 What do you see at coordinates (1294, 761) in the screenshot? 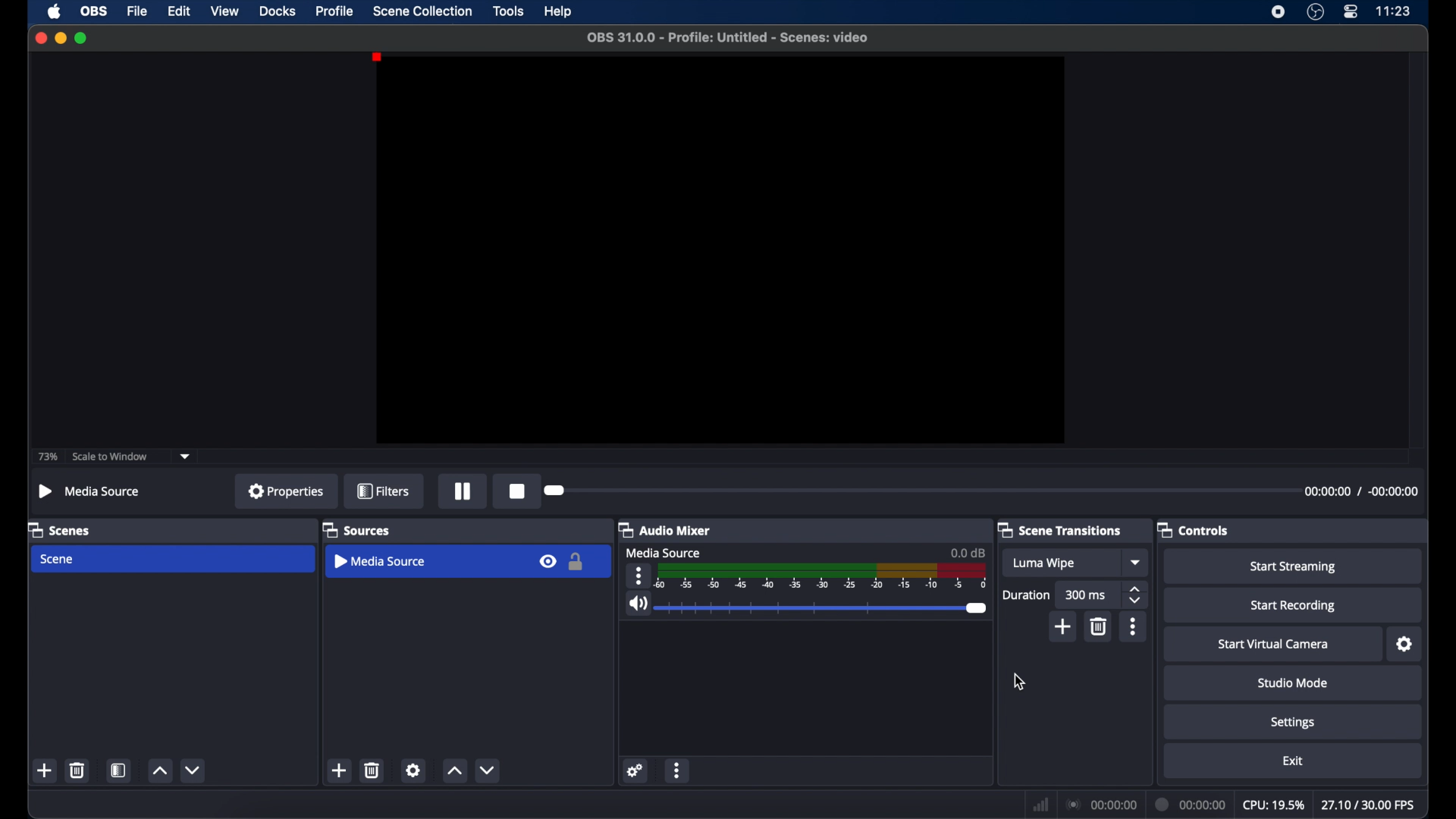
I see `exit` at bounding box center [1294, 761].